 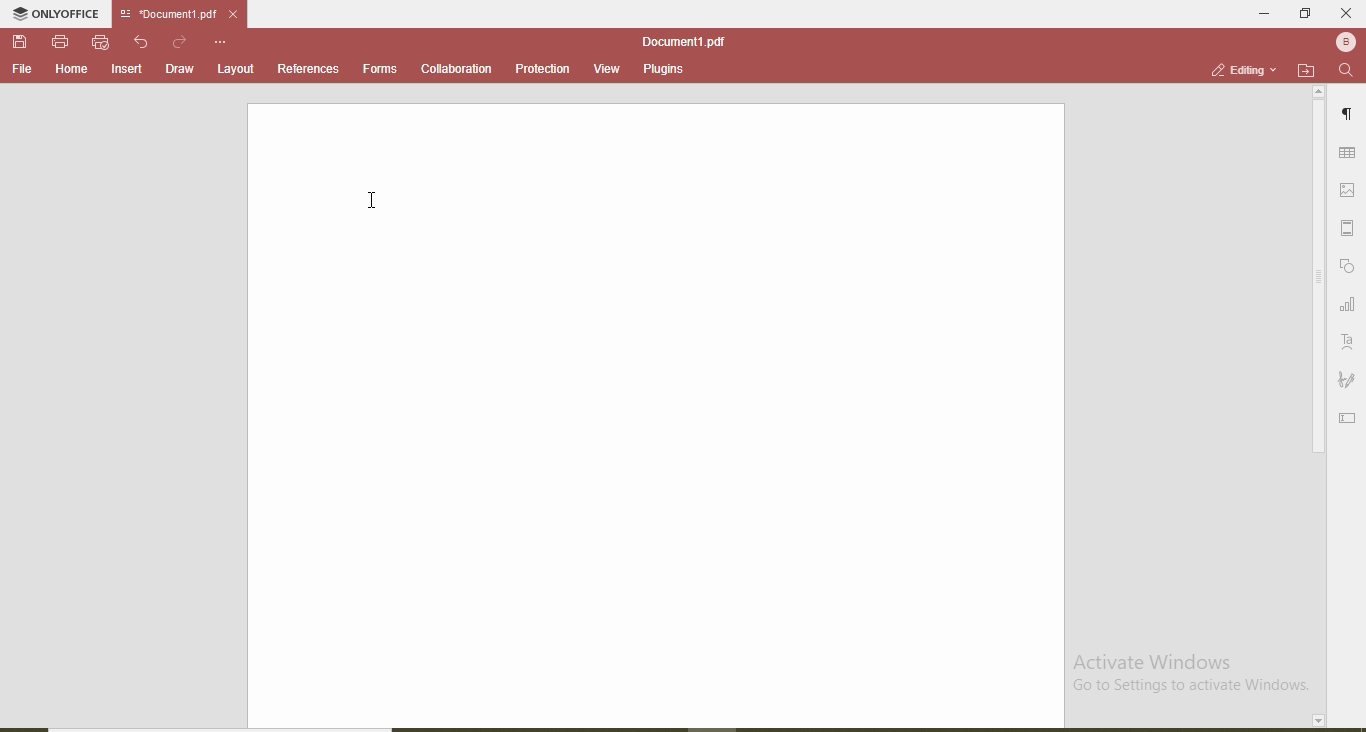 I want to click on graph, so click(x=1347, y=306).